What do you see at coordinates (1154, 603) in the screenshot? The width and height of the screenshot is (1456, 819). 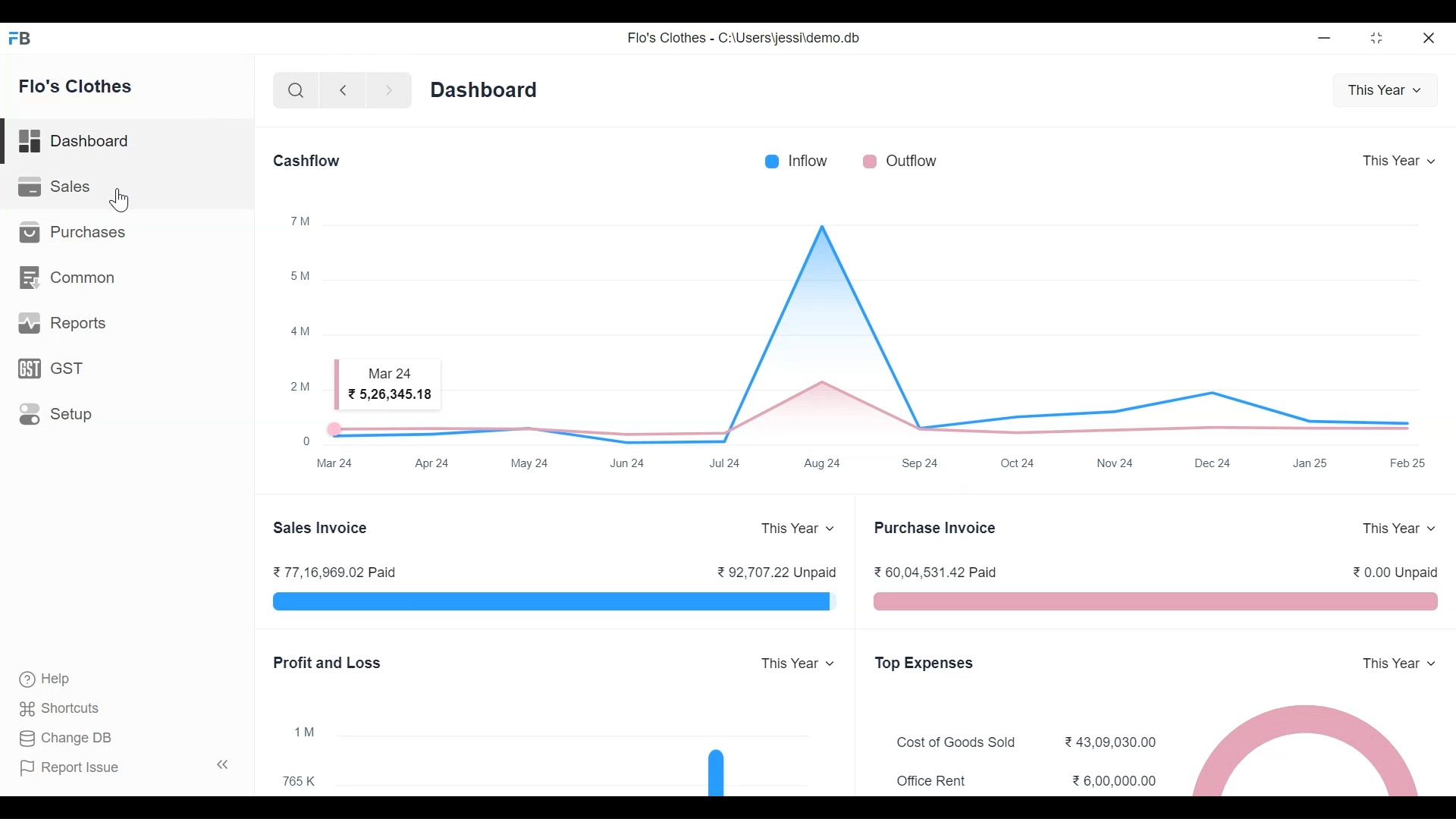 I see `line bar of the Purchase Invoice of the paid and unpaid of the year` at bounding box center [1154, 603].